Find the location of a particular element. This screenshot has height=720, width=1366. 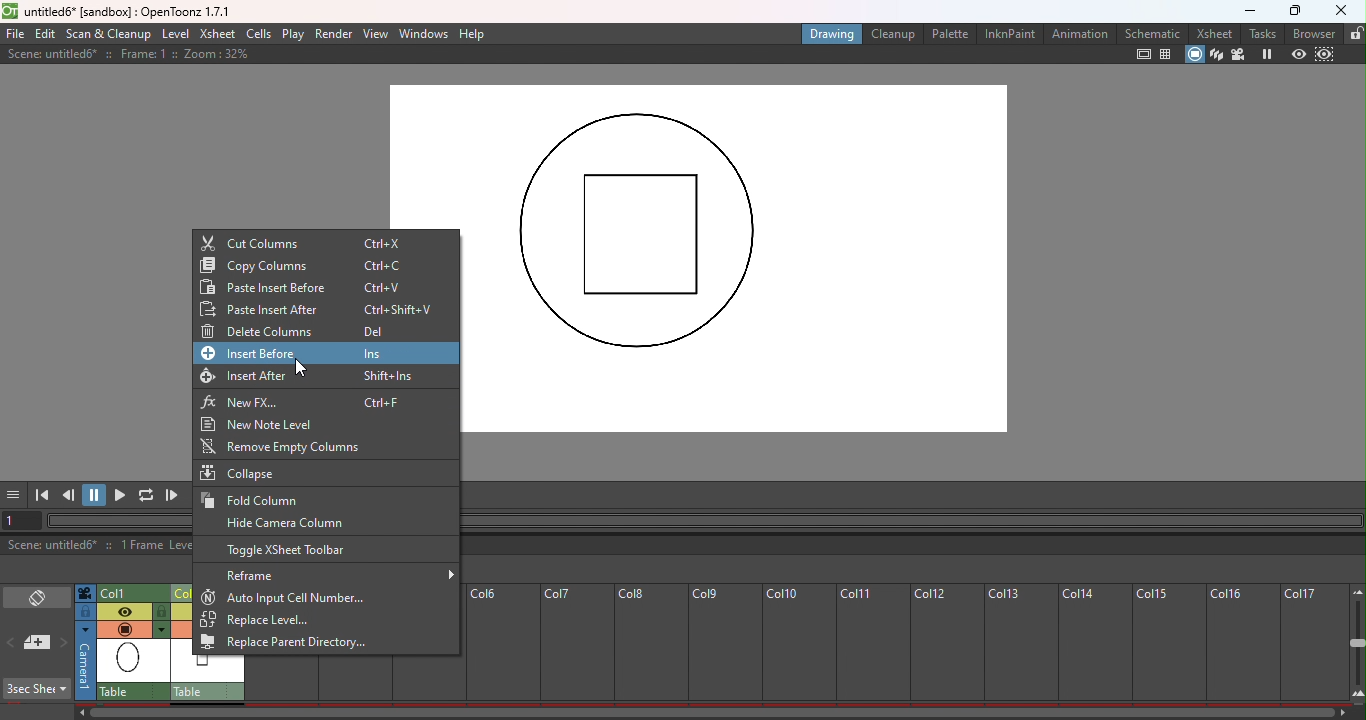

Delete columns is located at coordinates (296, 331).